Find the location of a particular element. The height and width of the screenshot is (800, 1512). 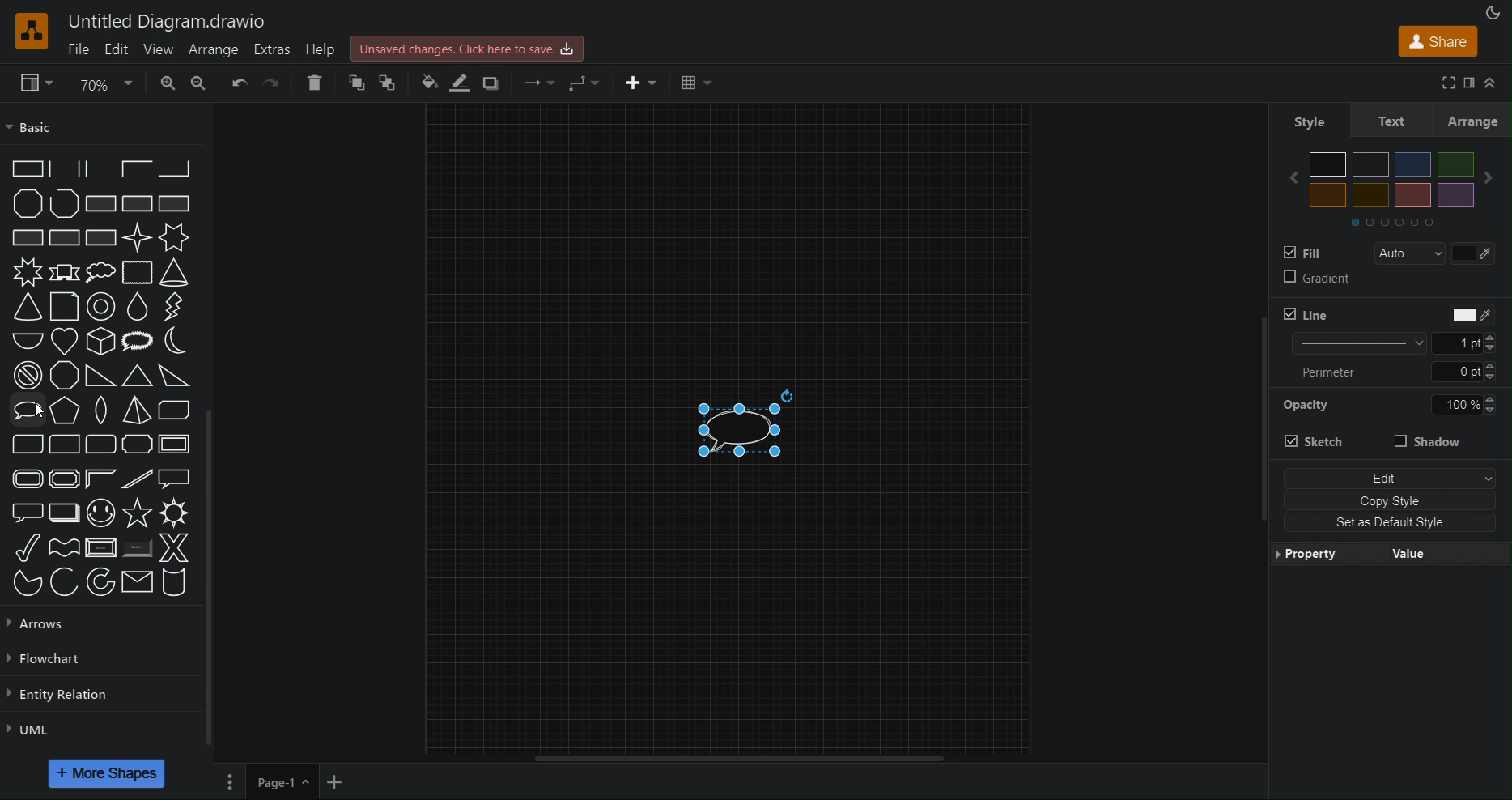

Smiley is located at coordinates (101, 513).